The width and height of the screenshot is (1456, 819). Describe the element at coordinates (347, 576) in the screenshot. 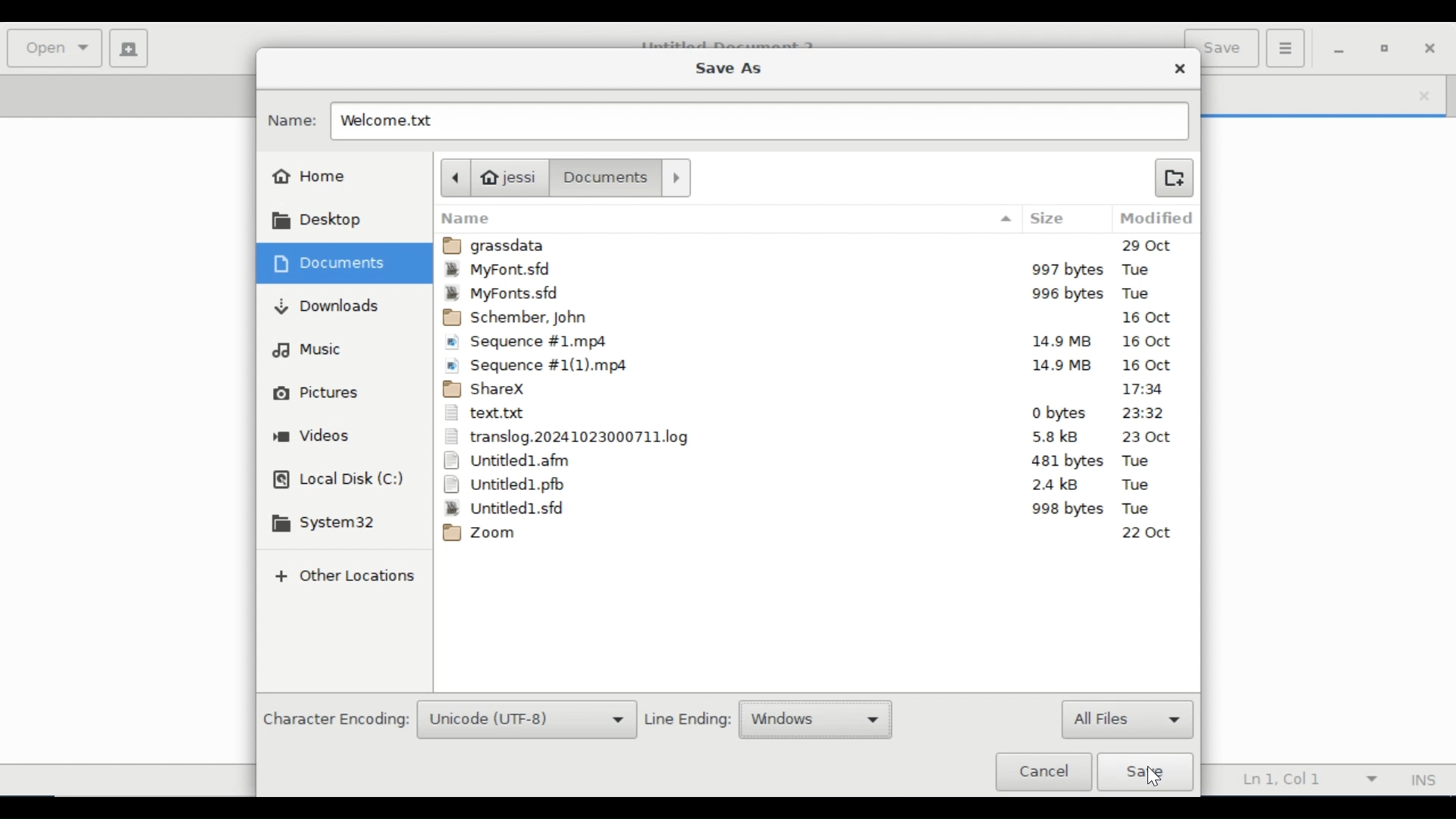

I see `Add Other Locations` at that location.